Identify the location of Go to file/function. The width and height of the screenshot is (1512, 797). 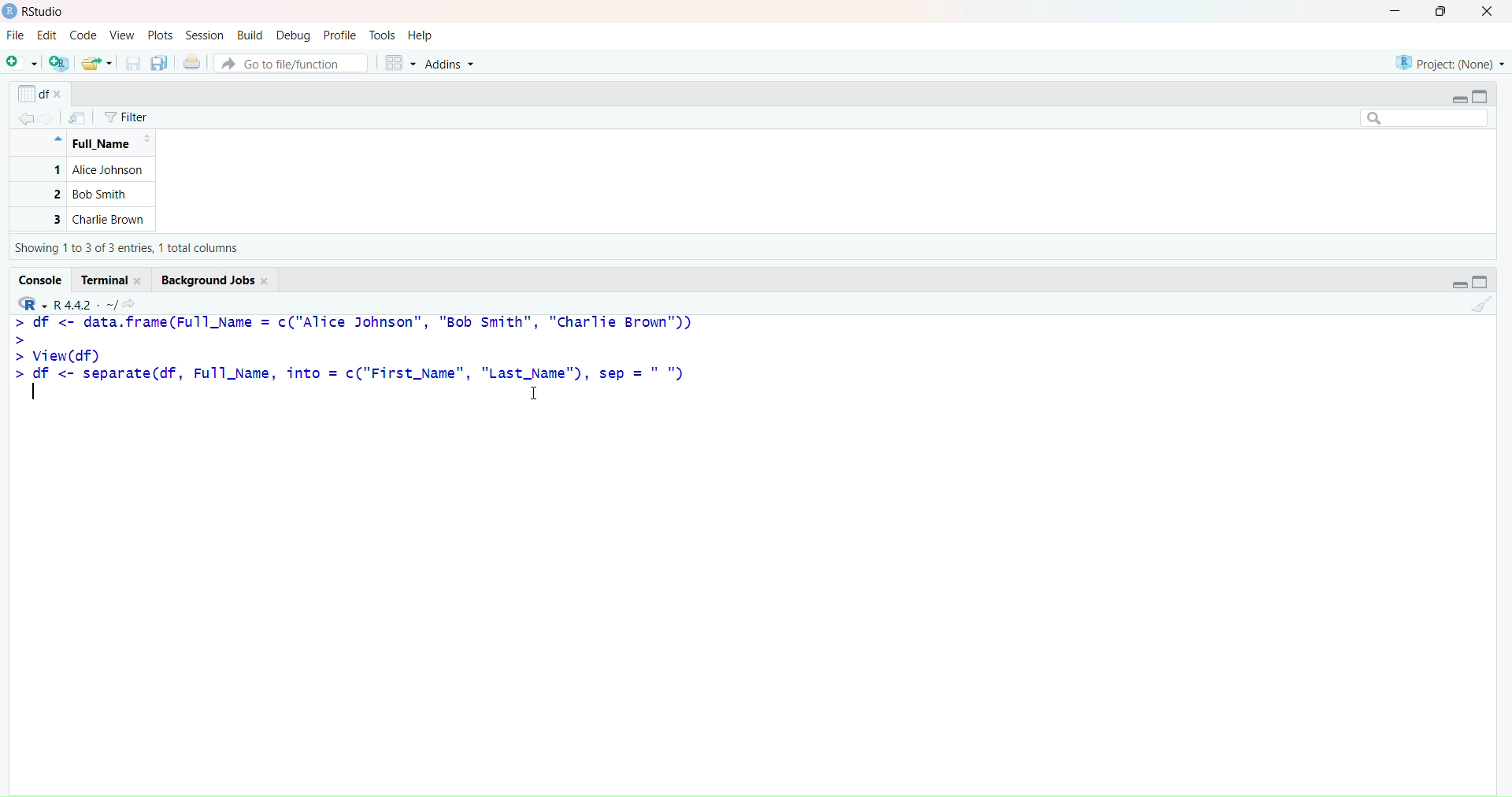
(291, 62).